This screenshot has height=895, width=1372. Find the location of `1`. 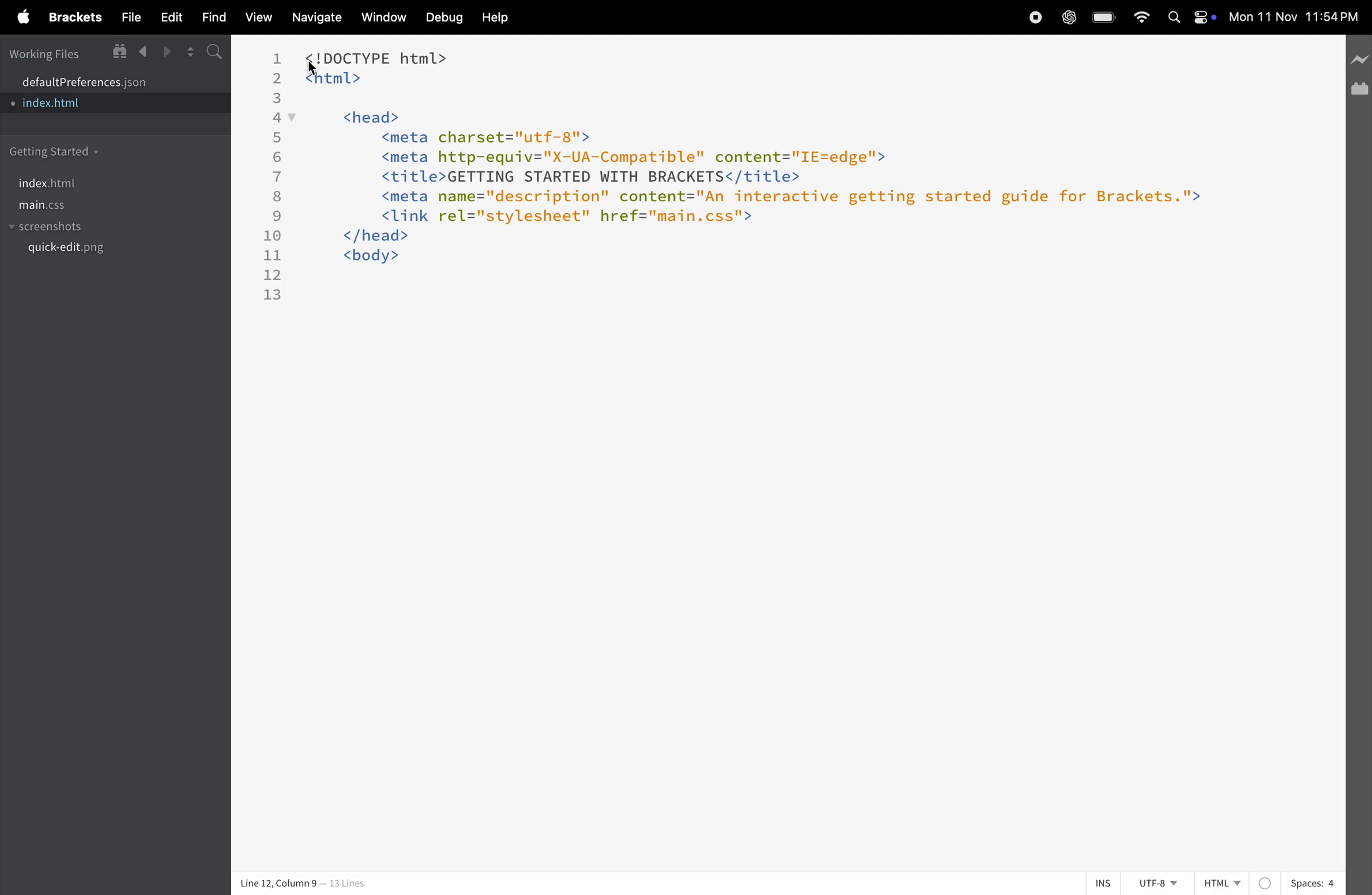

1 is located at coordinates (276, 58).